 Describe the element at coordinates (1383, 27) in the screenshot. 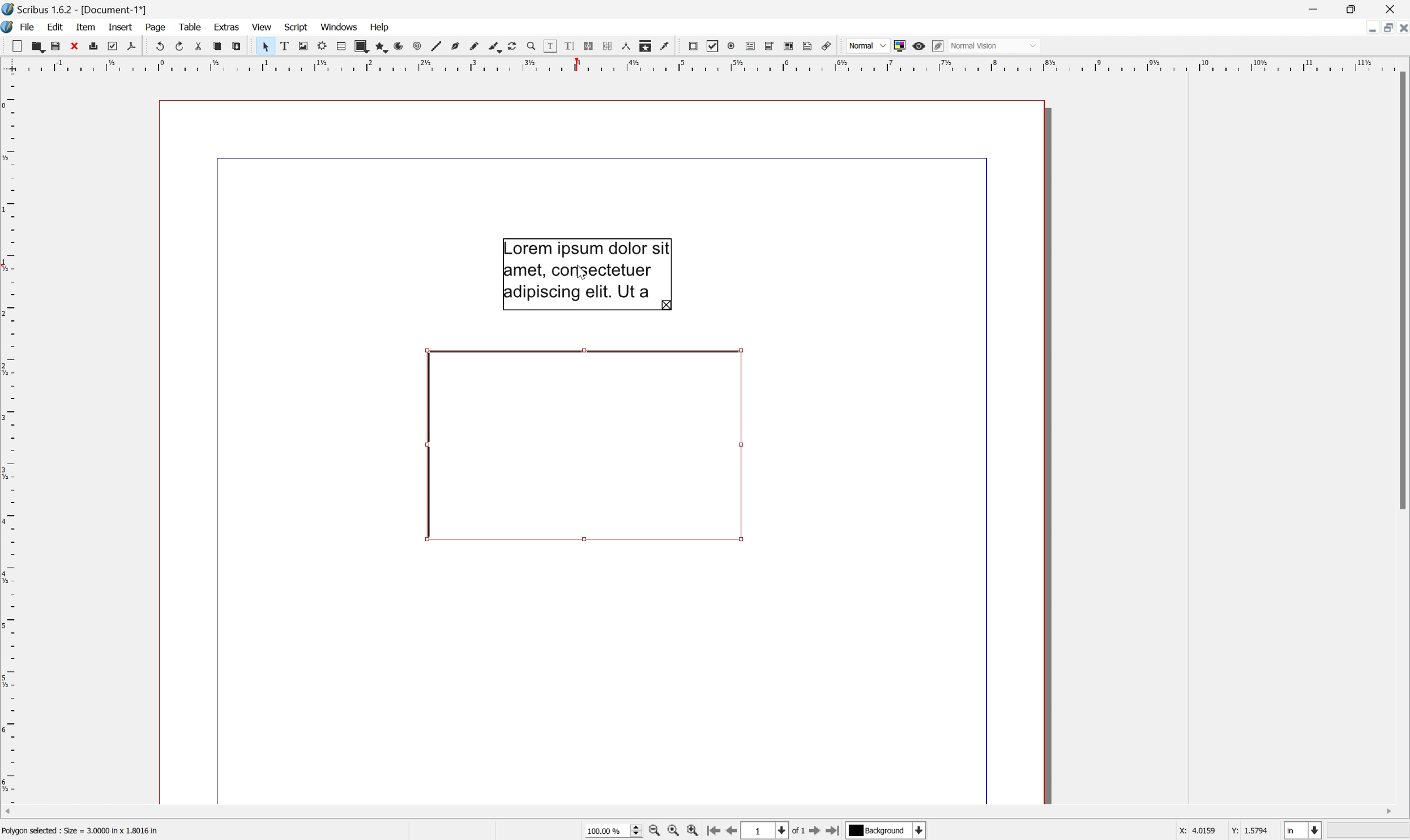

I see `Restore down` at that location.